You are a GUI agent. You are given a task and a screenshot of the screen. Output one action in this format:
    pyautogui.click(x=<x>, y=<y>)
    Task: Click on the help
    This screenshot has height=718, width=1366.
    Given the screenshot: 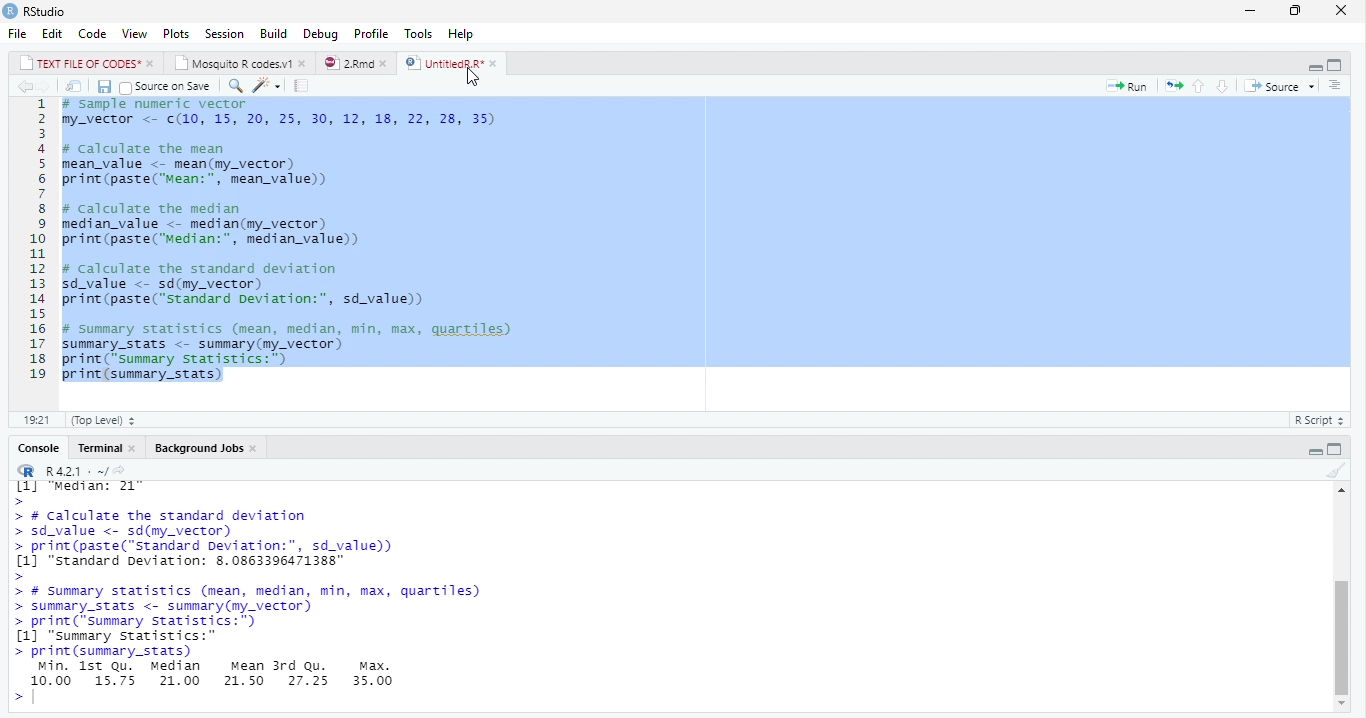 What is the action you would take?
    pyautogui.click(x=461, y=34)
    